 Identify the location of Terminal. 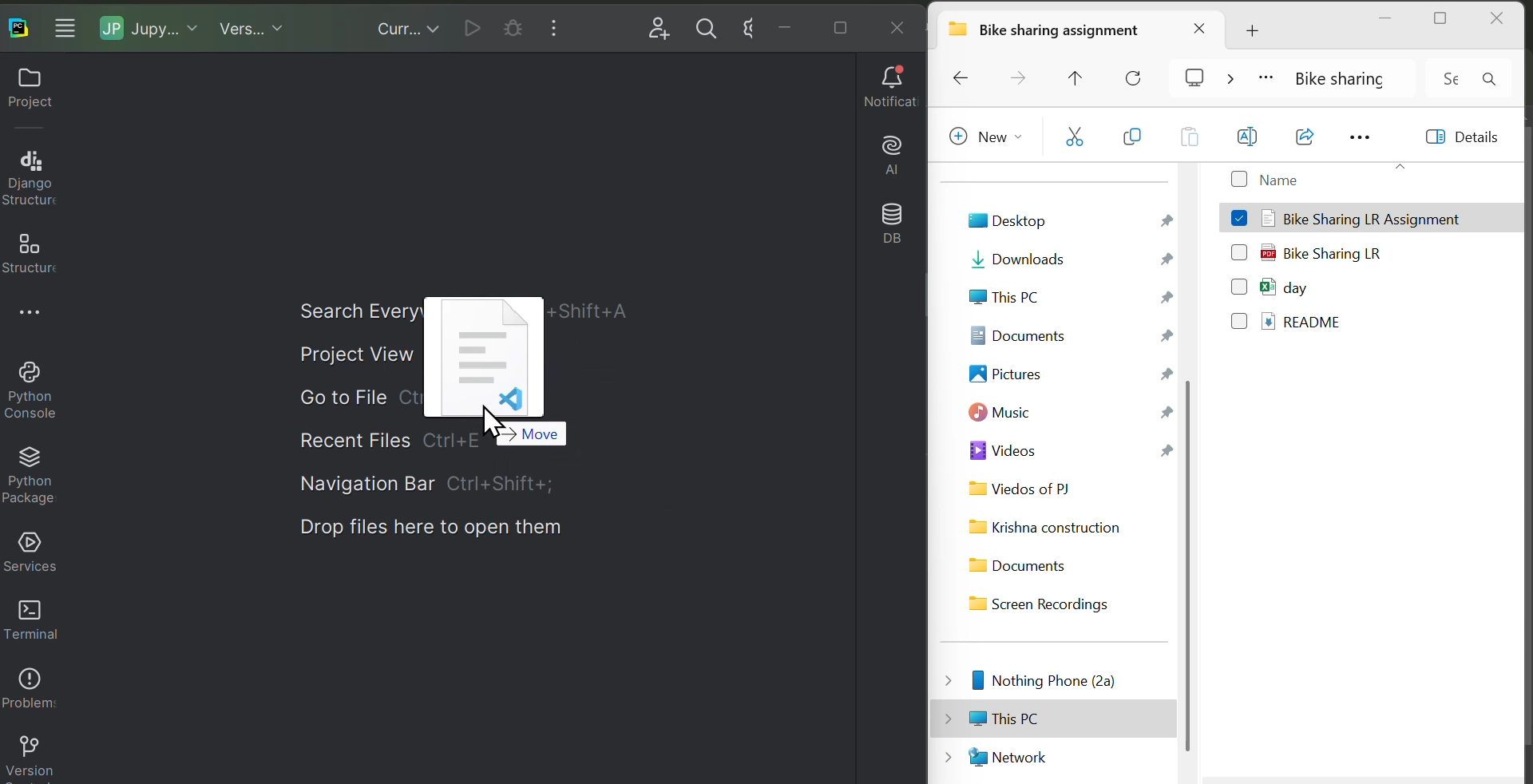
(33, 617).